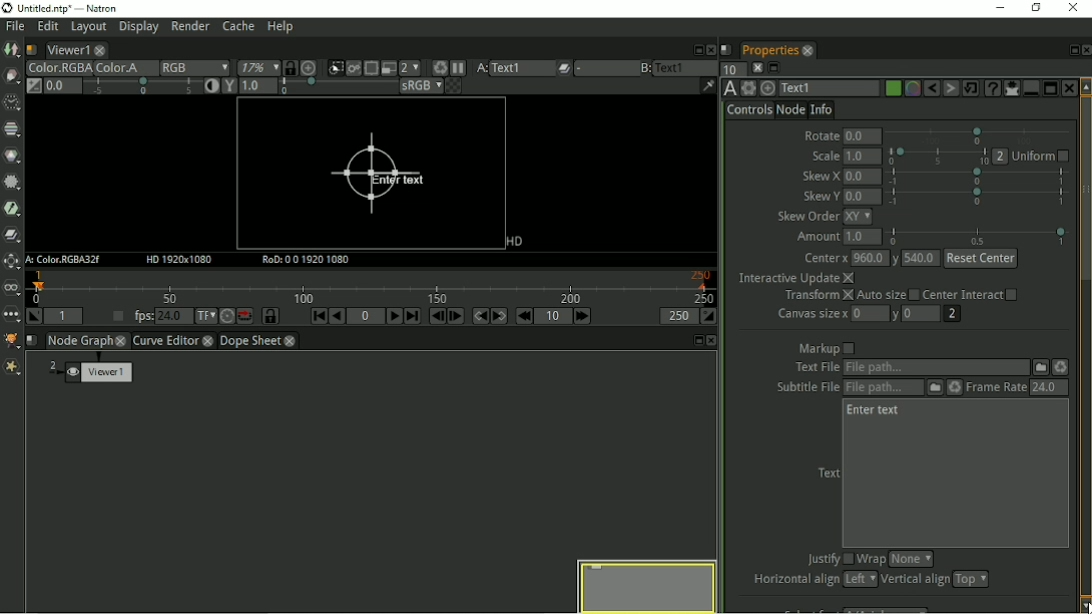 This screenshot has width=1092, height=614. Describe the element at coordinates (12, 51) in the screenshot. I see `Image` at that location.